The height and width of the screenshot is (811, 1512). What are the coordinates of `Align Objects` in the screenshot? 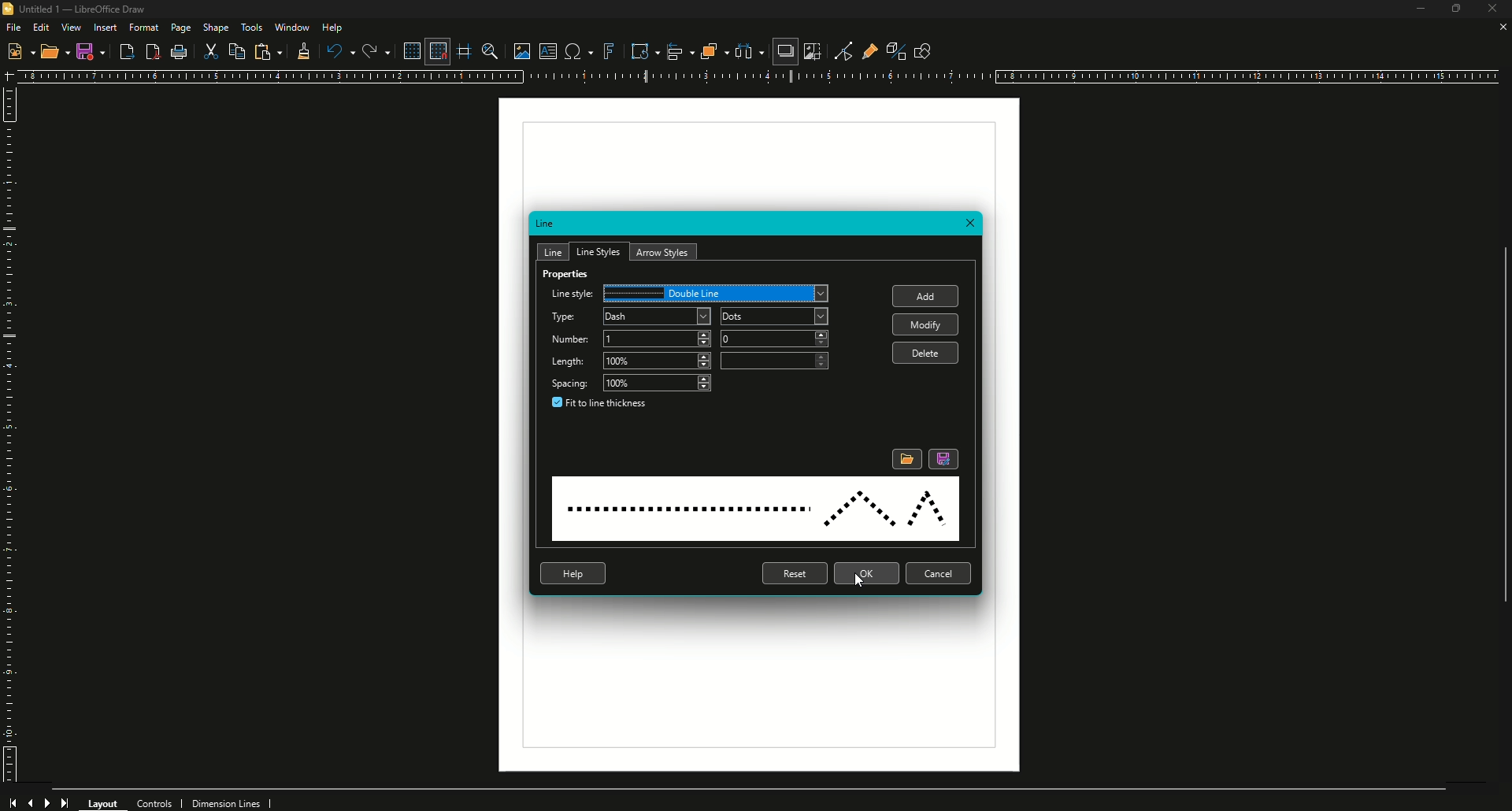 It's located at (674, 51).